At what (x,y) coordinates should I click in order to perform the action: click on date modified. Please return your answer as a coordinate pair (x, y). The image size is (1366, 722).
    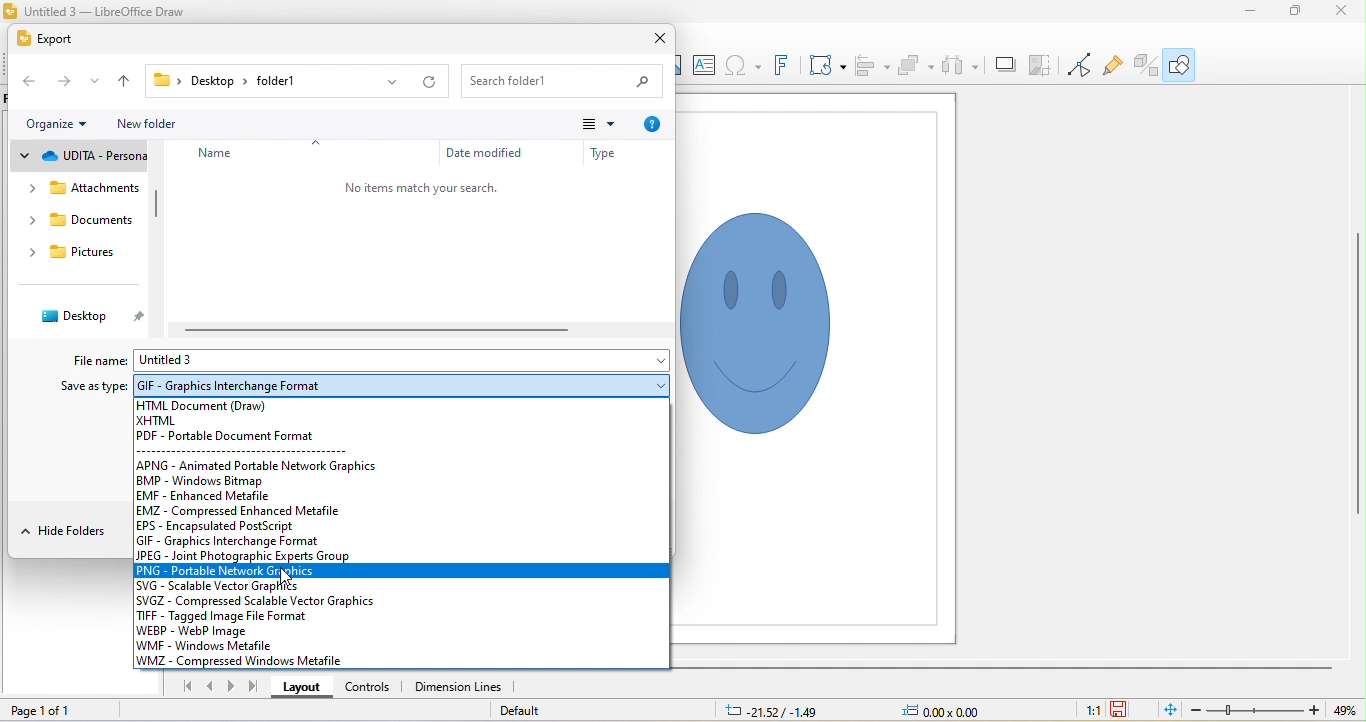
    Looking at the image, I should click on (484, 153).